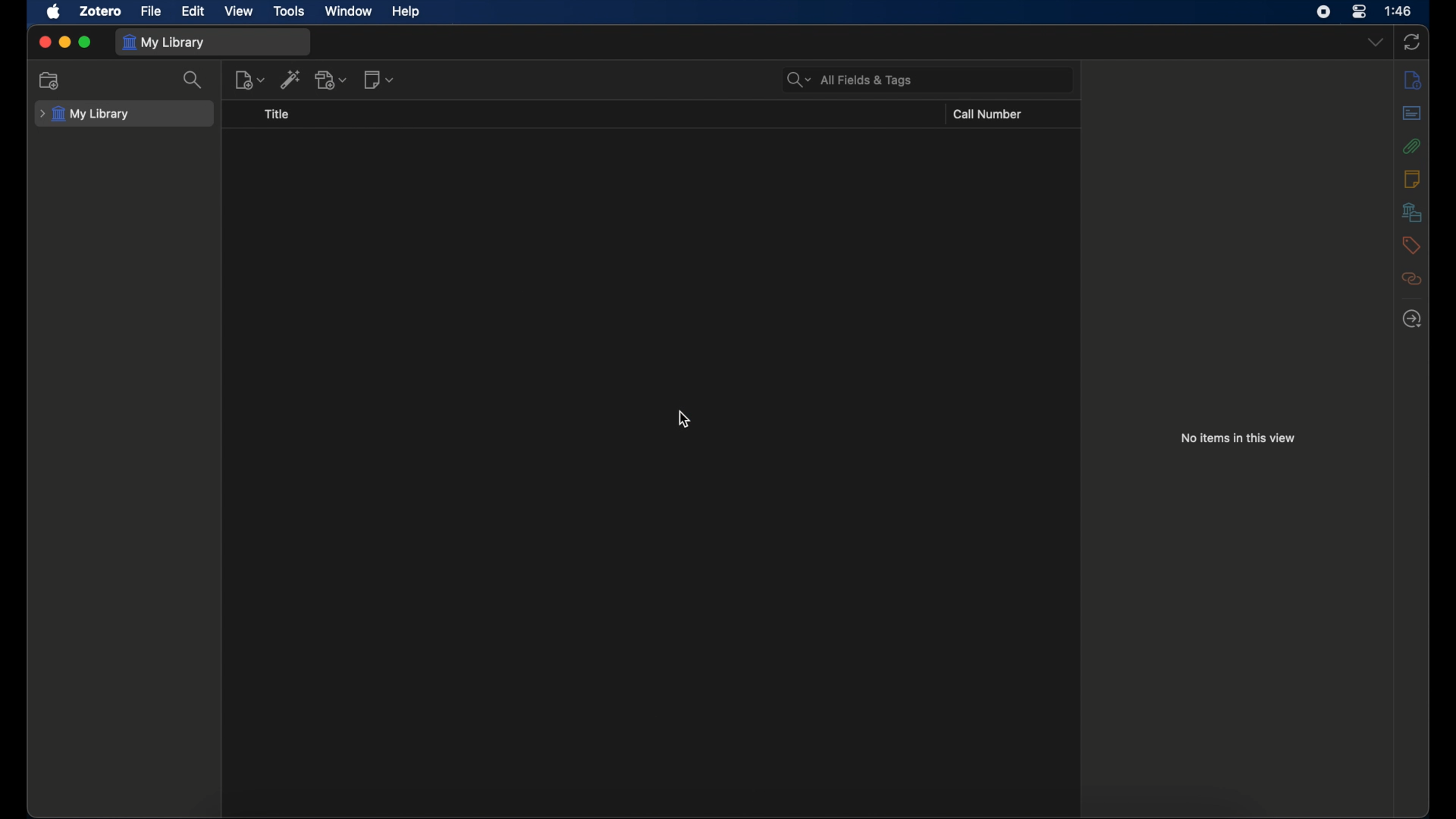  I want to click on related, so click(1410, 278).